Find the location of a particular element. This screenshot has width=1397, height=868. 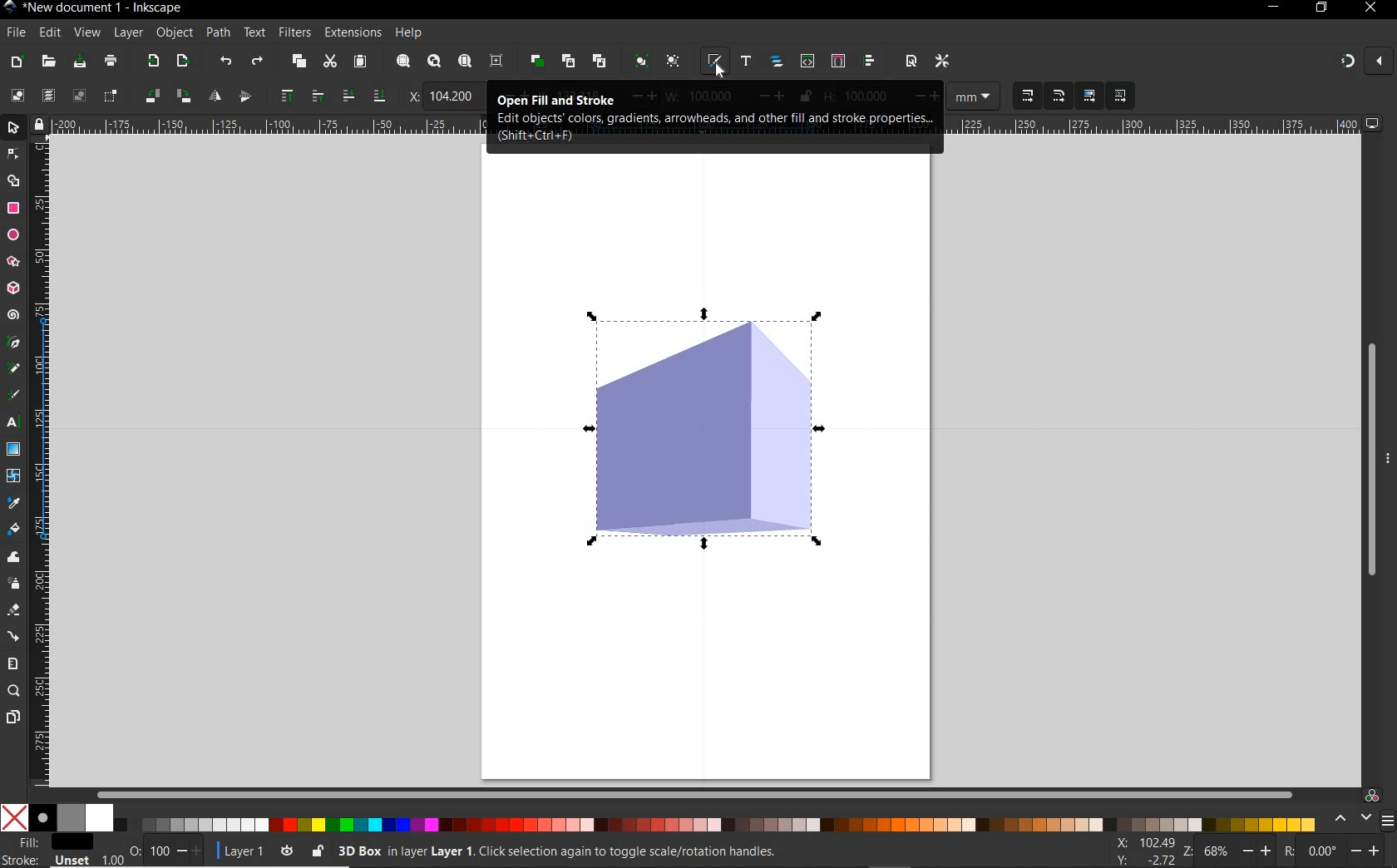

SELECT ALL is located at coordinates (16, 93).